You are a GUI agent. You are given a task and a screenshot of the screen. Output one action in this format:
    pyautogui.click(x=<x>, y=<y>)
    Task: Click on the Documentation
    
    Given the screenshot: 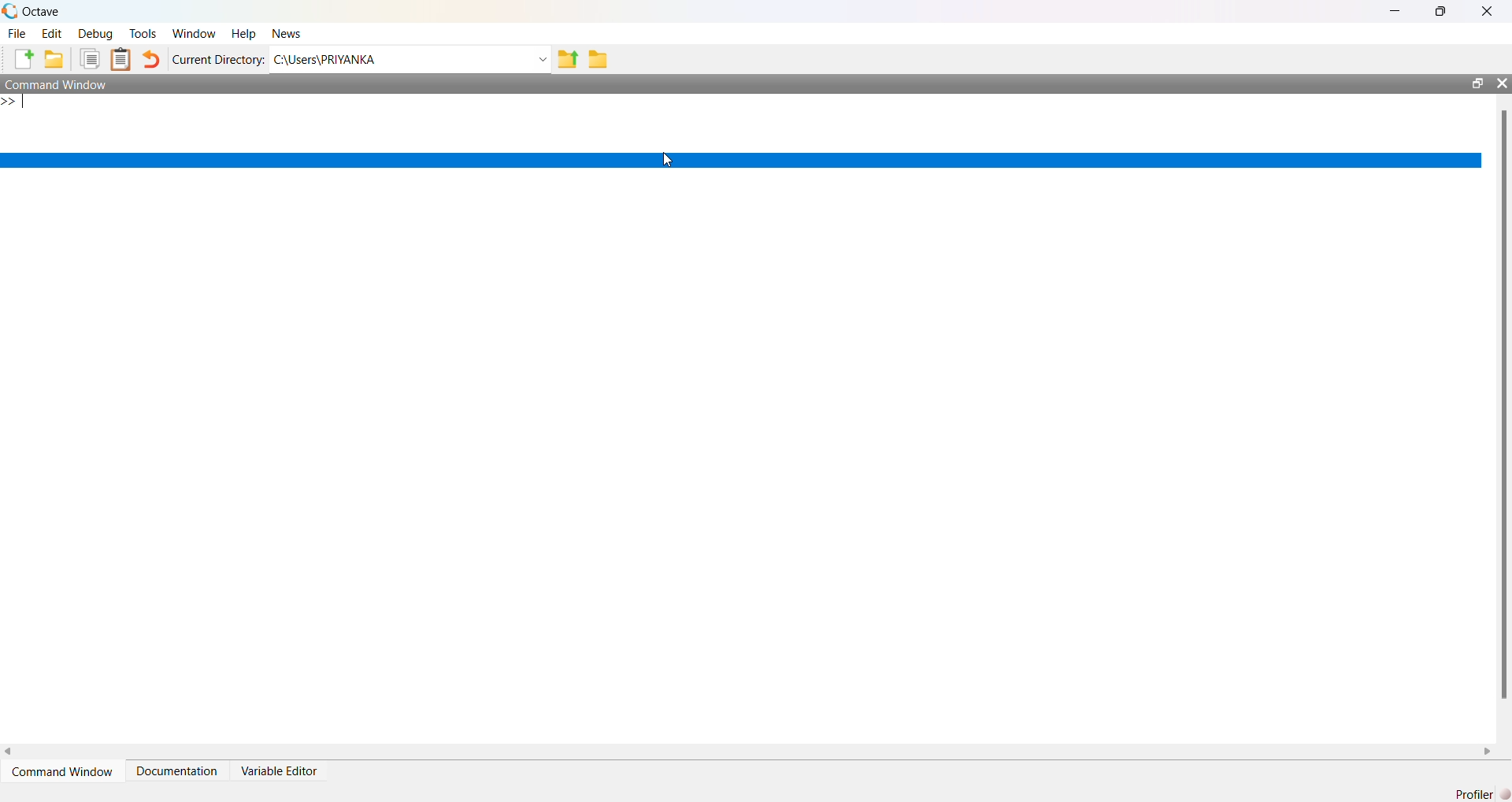 What is the action you would take?
    pyautogui.click(x=176, y=771)
    